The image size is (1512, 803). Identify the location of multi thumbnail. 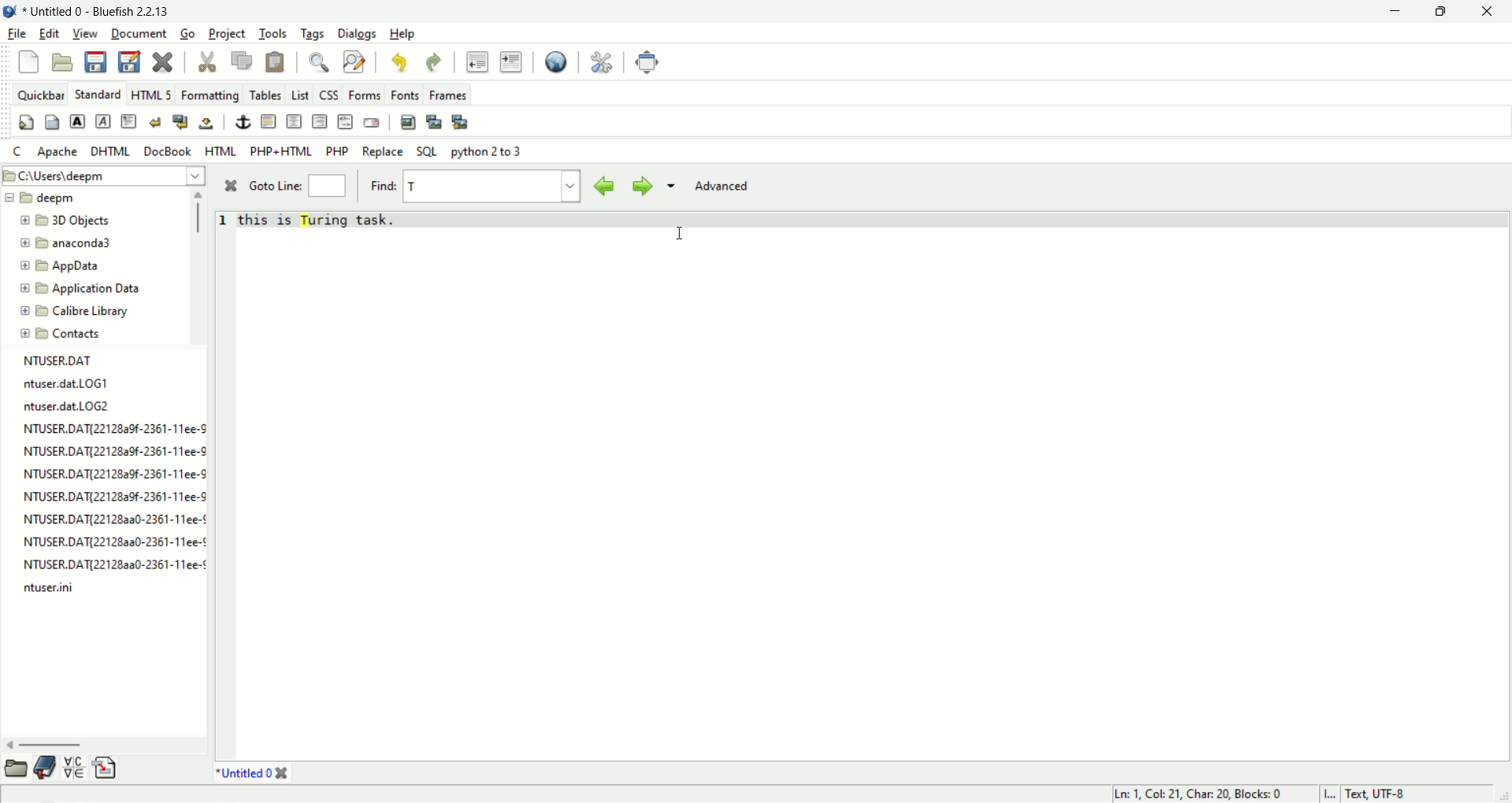
(461, 123).